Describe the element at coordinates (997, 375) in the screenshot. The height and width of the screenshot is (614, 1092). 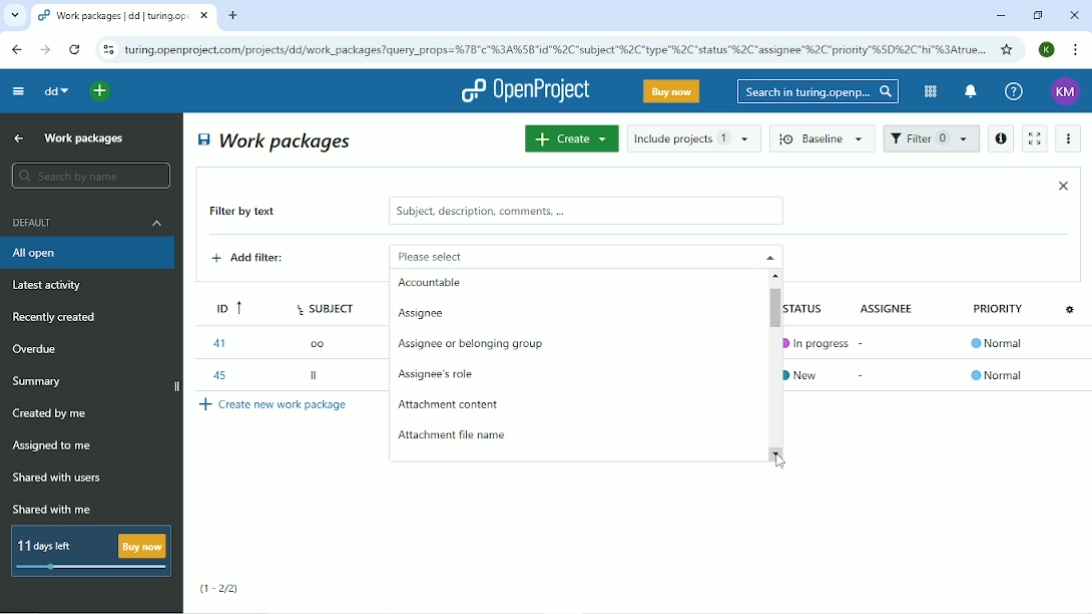
I see `Normal` at that location.